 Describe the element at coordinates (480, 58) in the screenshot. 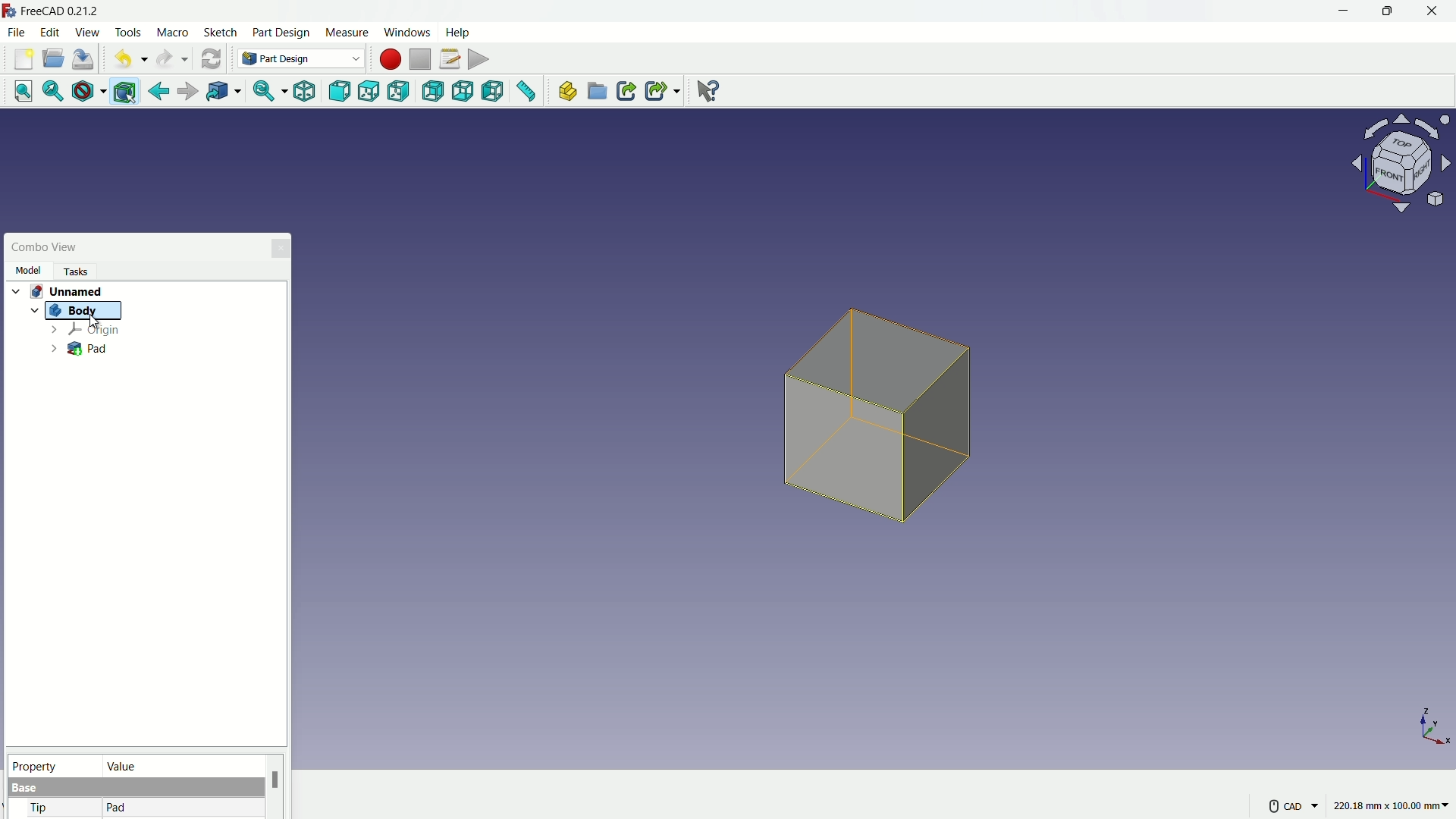

I see `execute macros` at that location.